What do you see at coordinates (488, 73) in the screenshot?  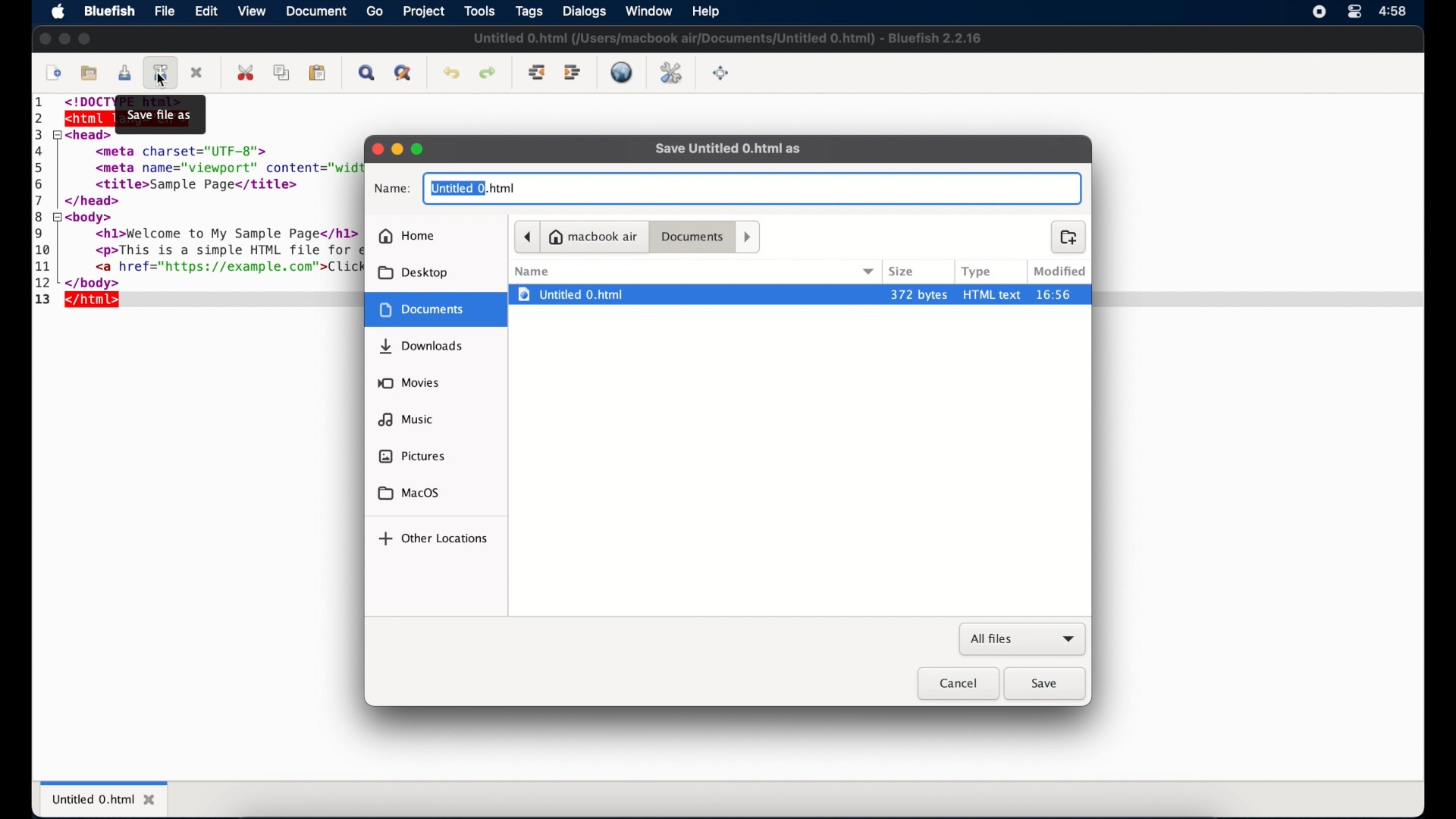 I see `redo` at bounding box center [488, 73].